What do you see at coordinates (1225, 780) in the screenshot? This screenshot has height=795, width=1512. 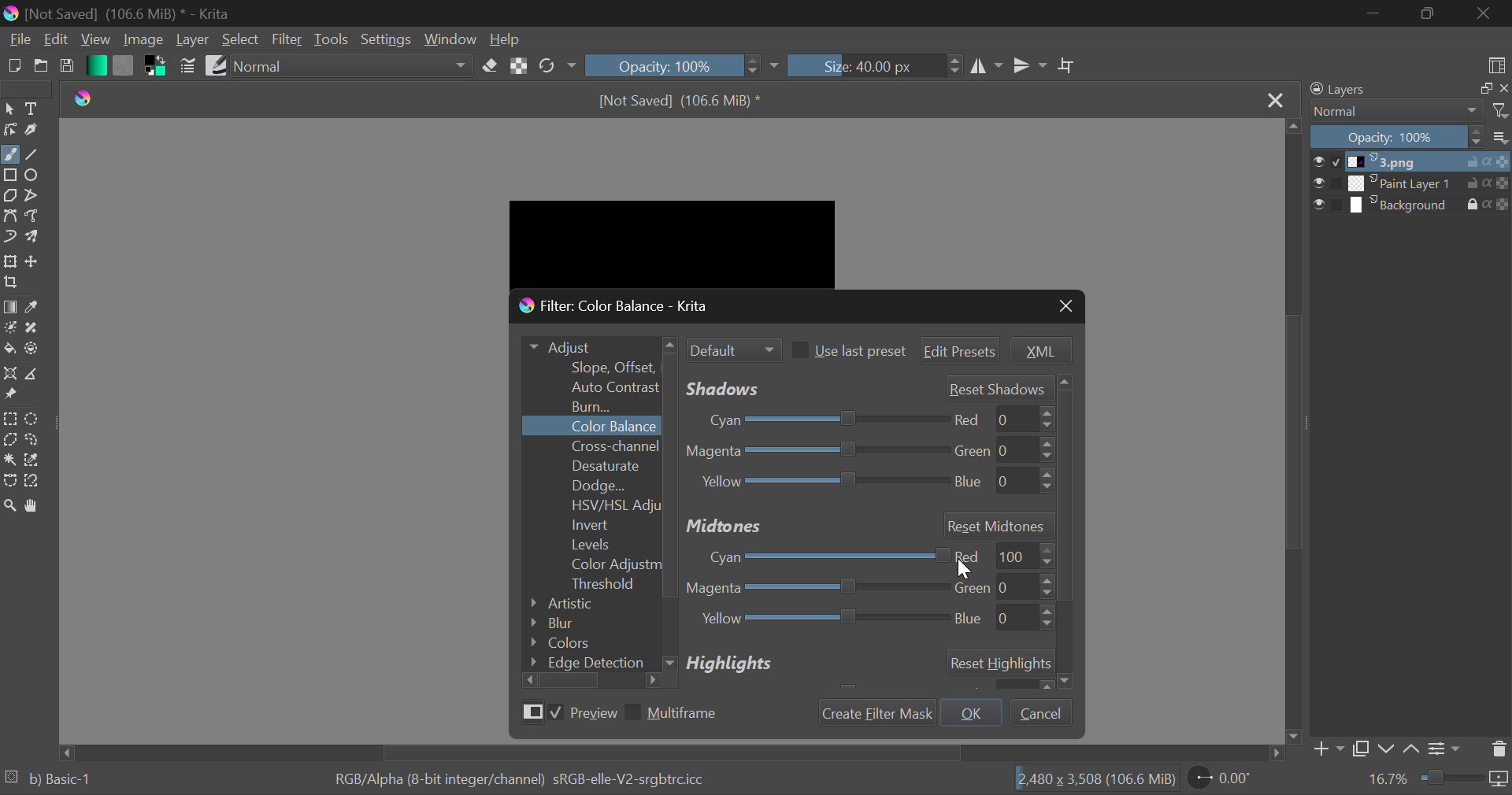 I see `0.00` at bounding box center [1225, 780].